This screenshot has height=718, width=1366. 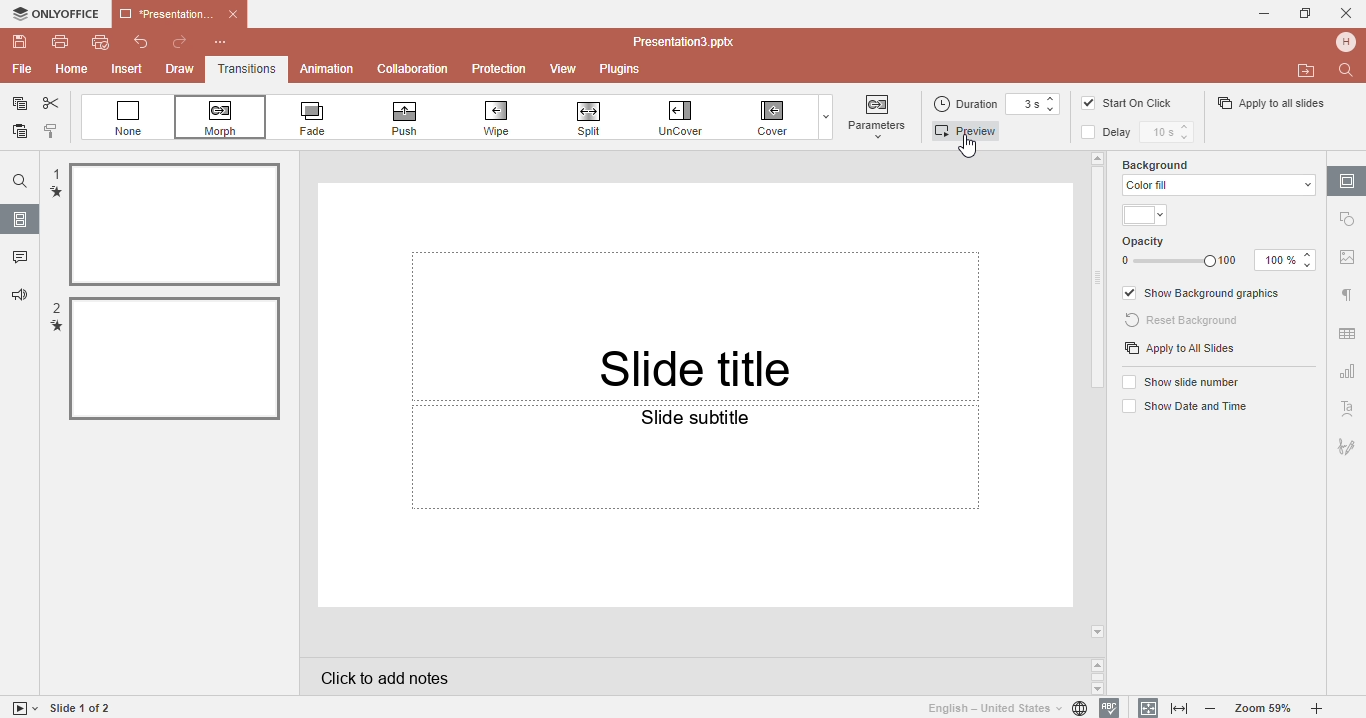 What do you see at coordinates (1110, 708) in the screenshot?
I see `Spell checking` at bounding box center [1110, 708].